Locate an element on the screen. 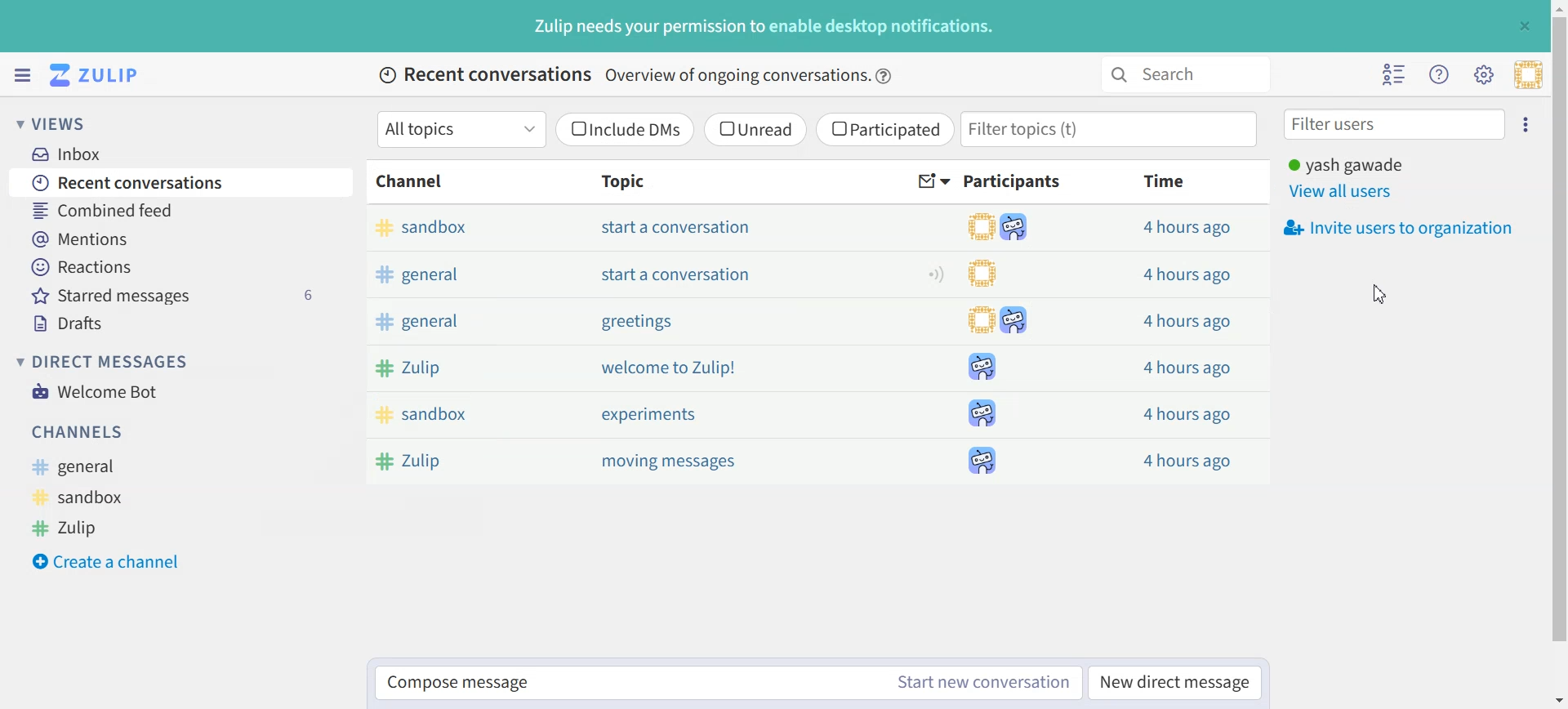 The image size is (1568, 709). Start a conversation is located at coordinates (678, 274).